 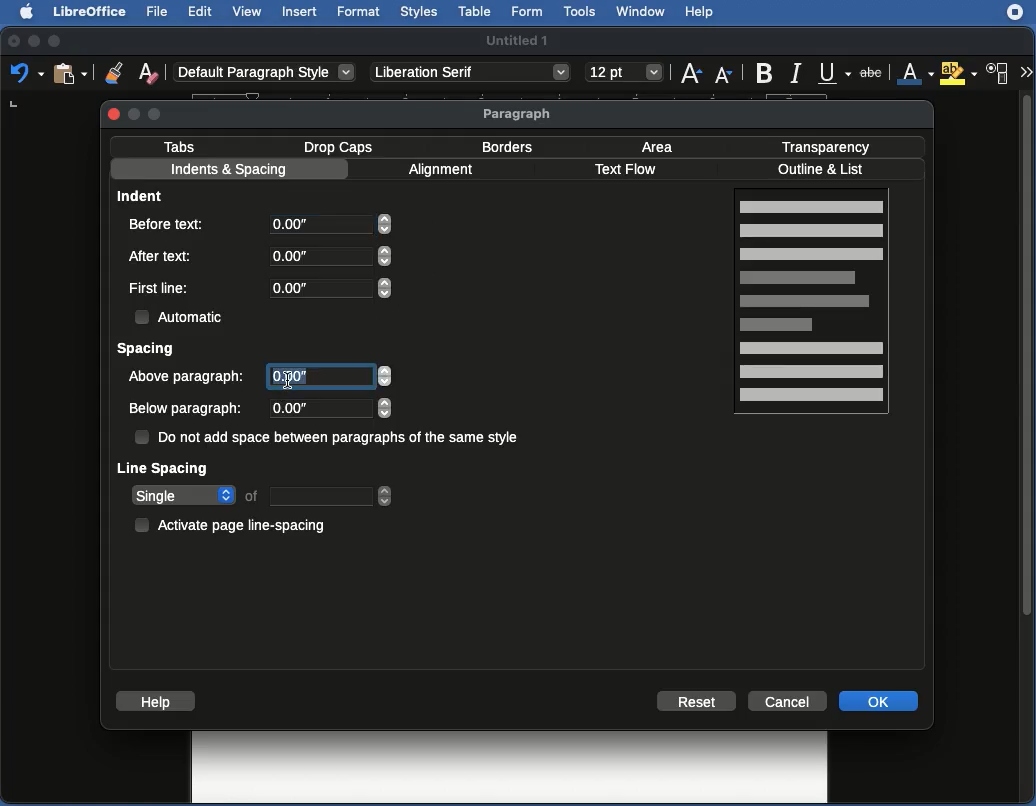 What do you see at coordinates (621, 72) in the screenshot?
I see `font size` at bounding box center [621, 72].